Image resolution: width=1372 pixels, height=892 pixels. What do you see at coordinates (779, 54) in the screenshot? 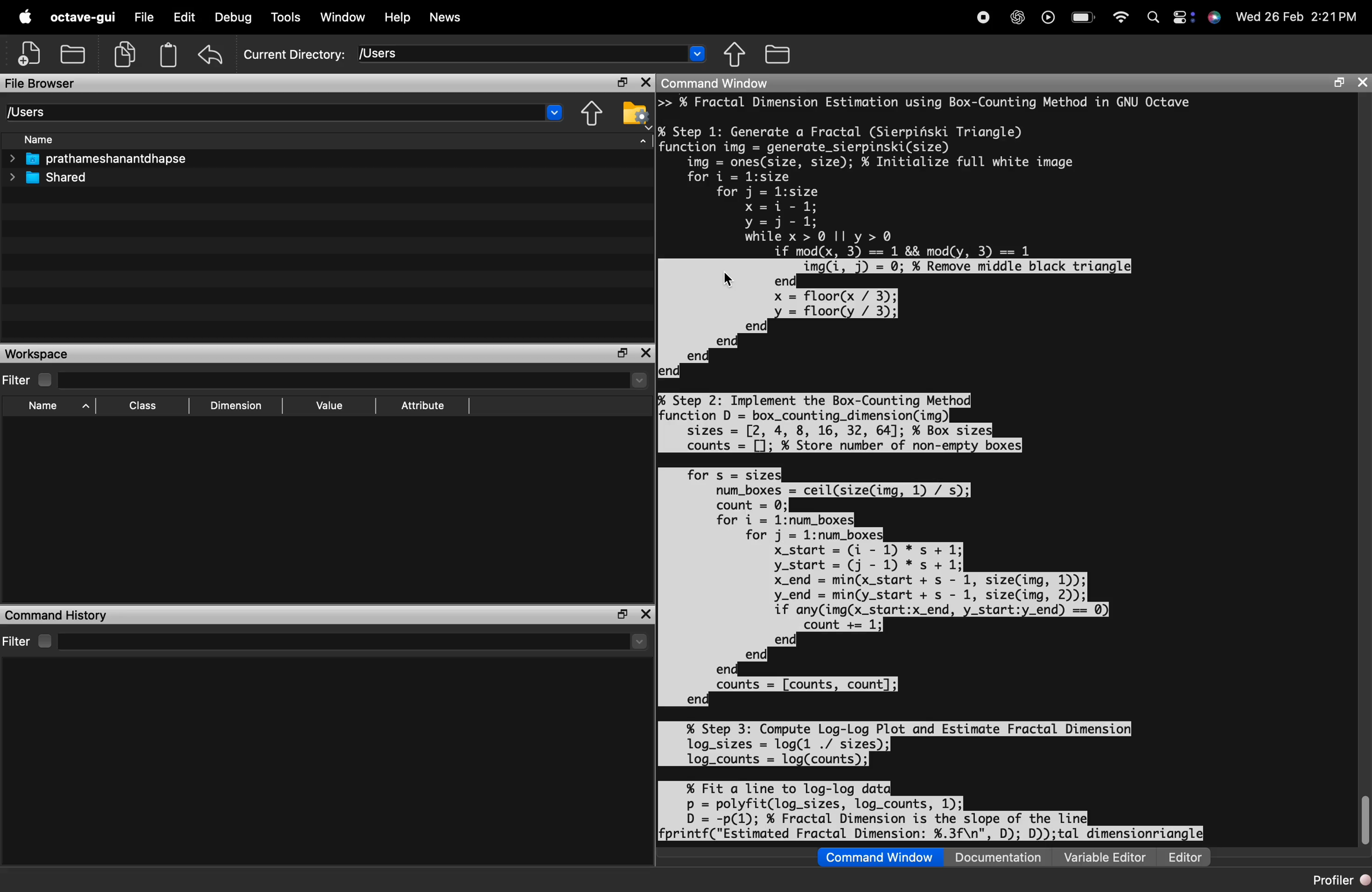
I see `browse your files` at bounding box center [779, 54].